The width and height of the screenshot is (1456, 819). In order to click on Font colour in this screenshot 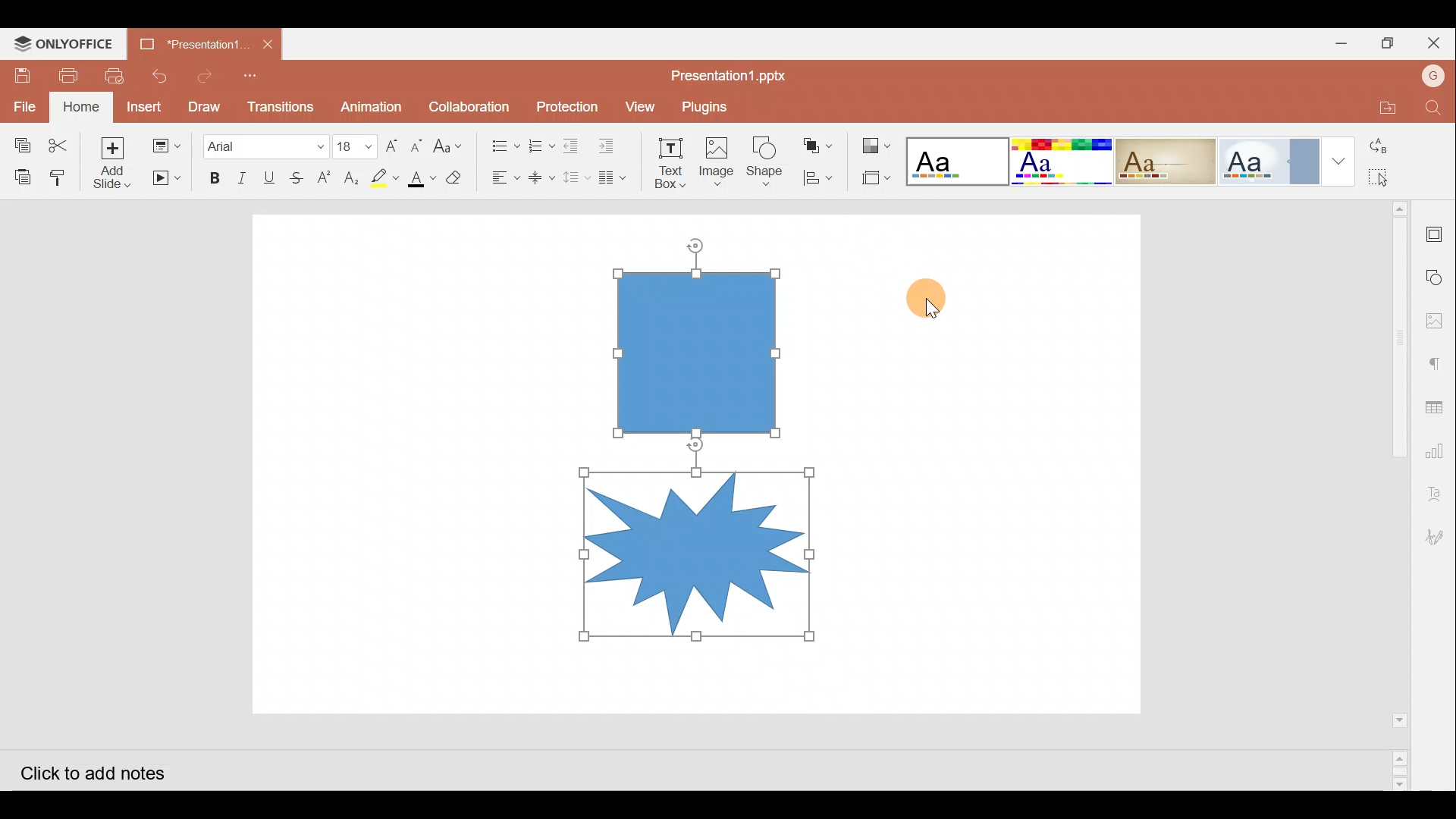, I will do `click(420, 178)`.